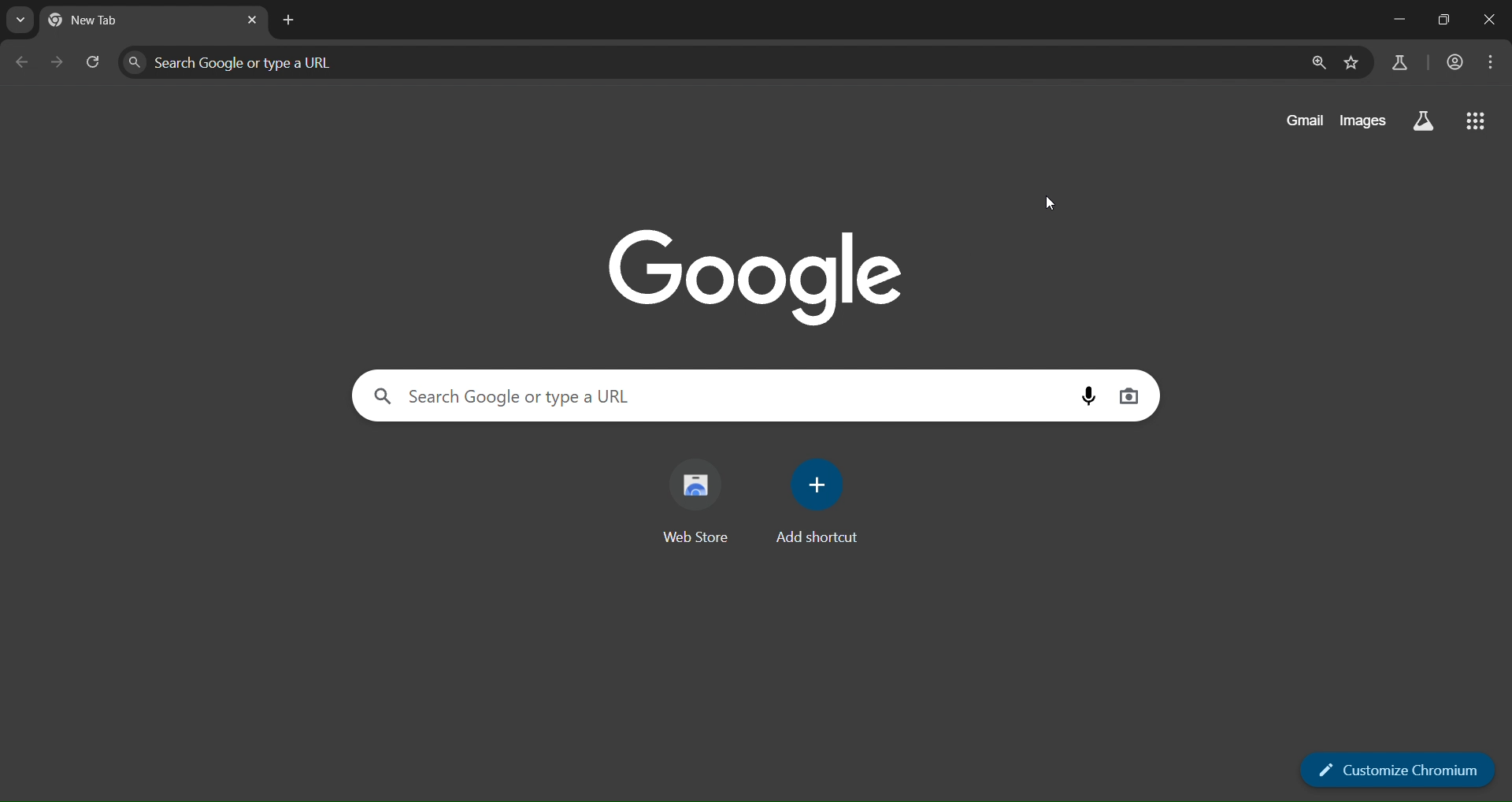 The image size is (1512, 802). Describe the element at coordinates (1448, 21) in the screenshot. I see `restore down` at that location.